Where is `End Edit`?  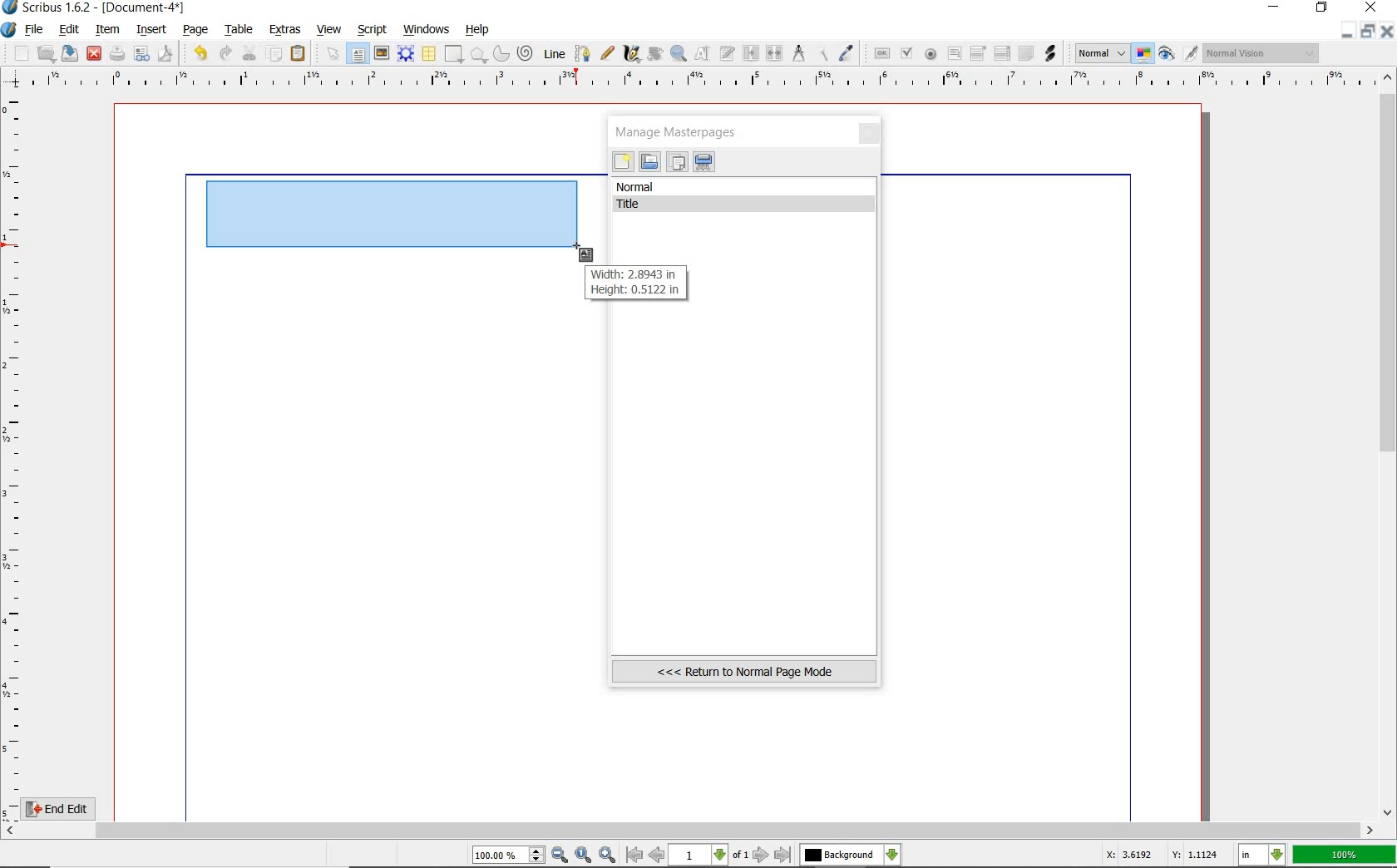 End Edit is located at coordinates (71, 808).